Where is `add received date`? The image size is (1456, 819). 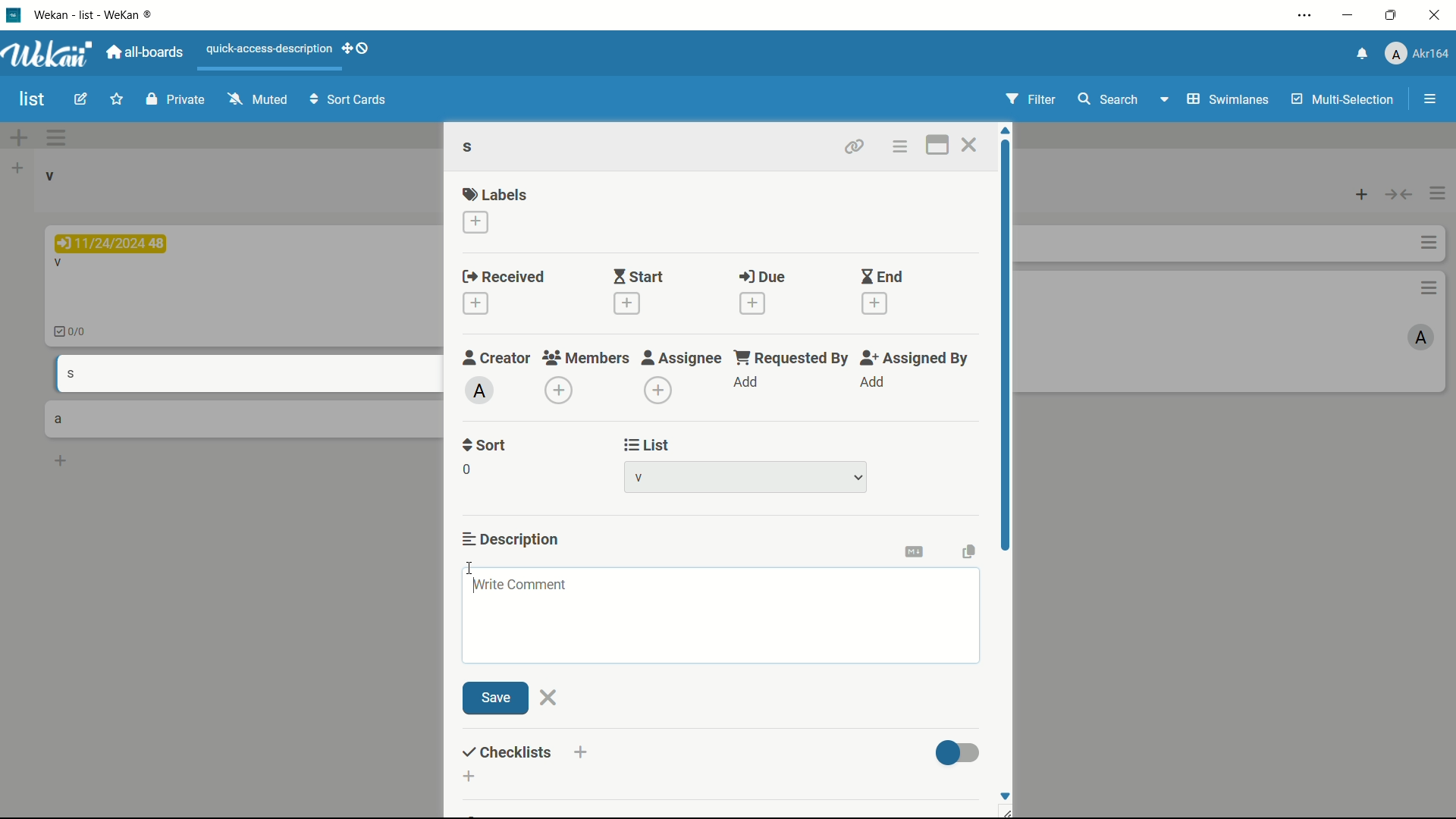 add received date is located at coordinates (475, 303).